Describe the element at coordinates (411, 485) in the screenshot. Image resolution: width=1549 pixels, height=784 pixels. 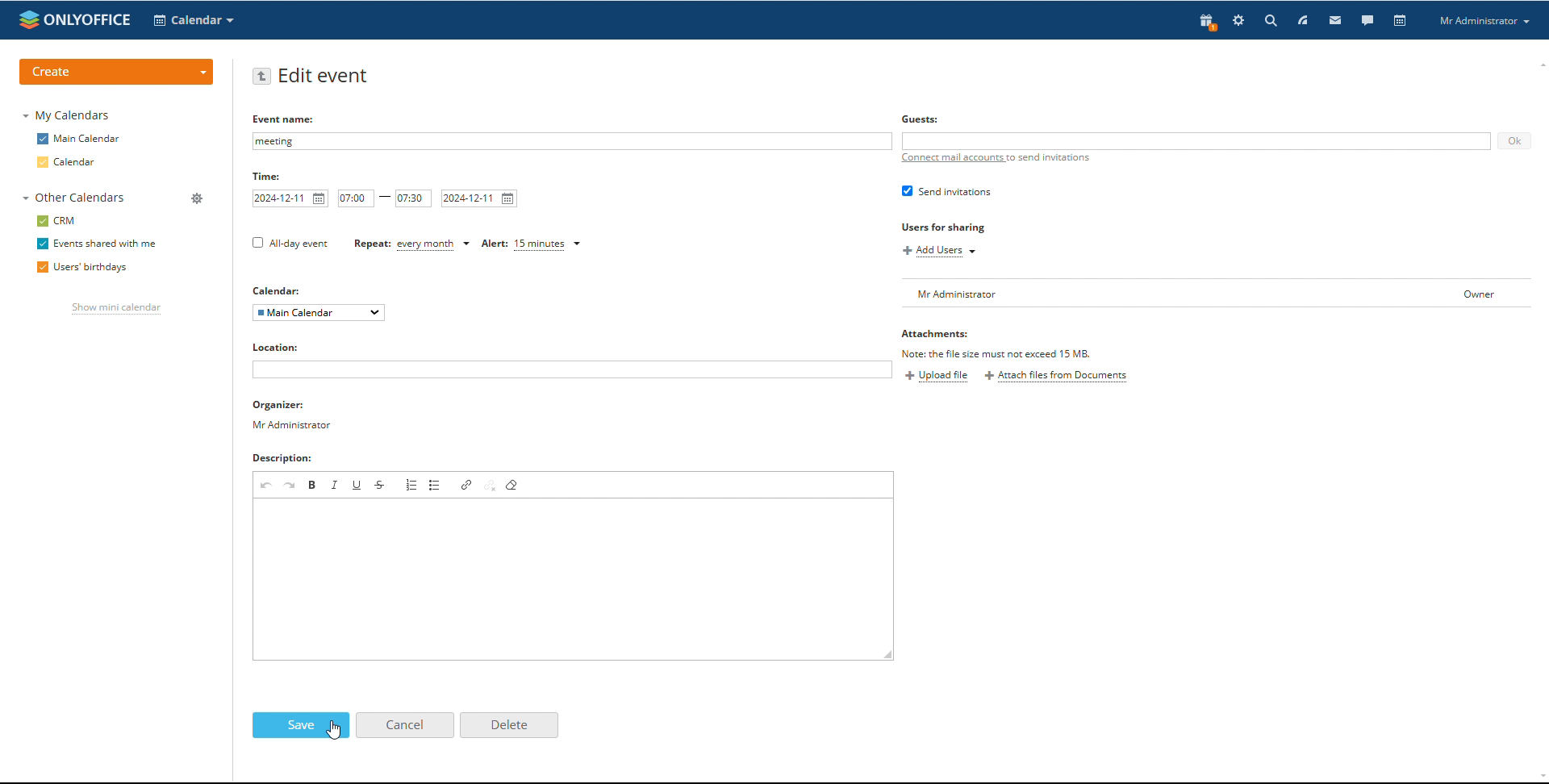
I see `insert/remove numbered list` at that location.